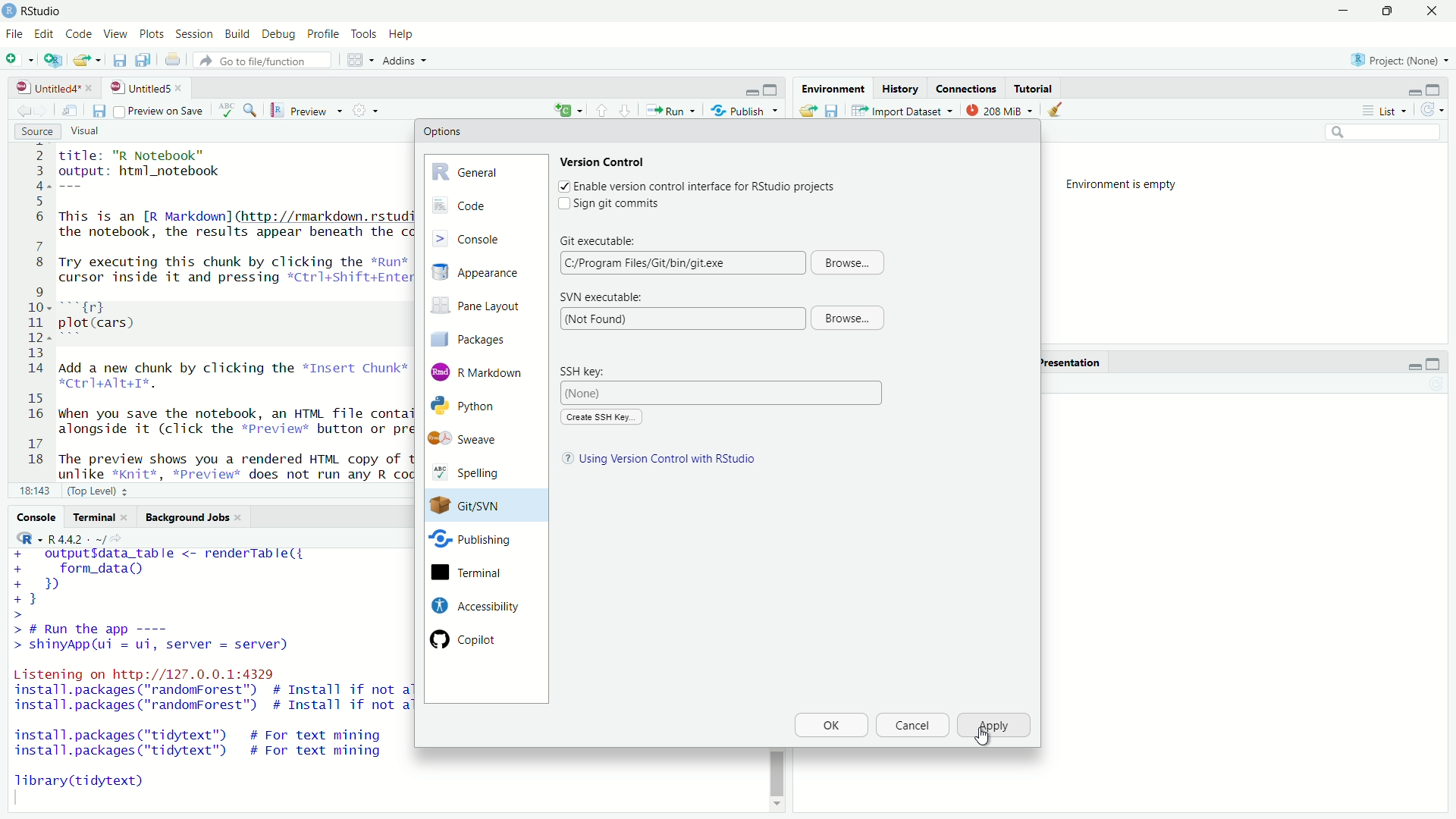 Image resolution: width=1456 pixels, height=819 pixels. I want to click on ?, so click(564, 460).